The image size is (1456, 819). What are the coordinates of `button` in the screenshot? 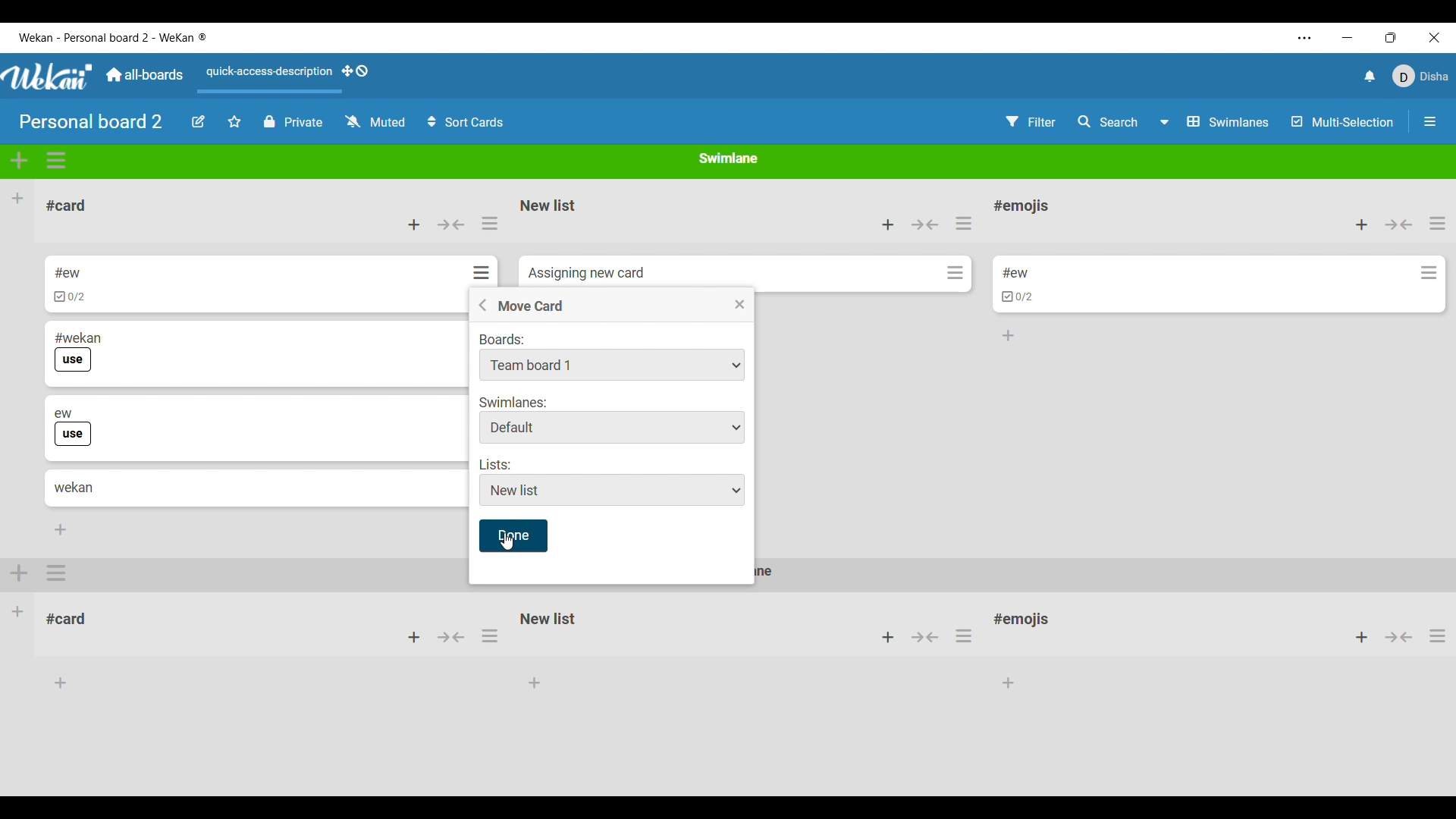 It's located at (453, 641).